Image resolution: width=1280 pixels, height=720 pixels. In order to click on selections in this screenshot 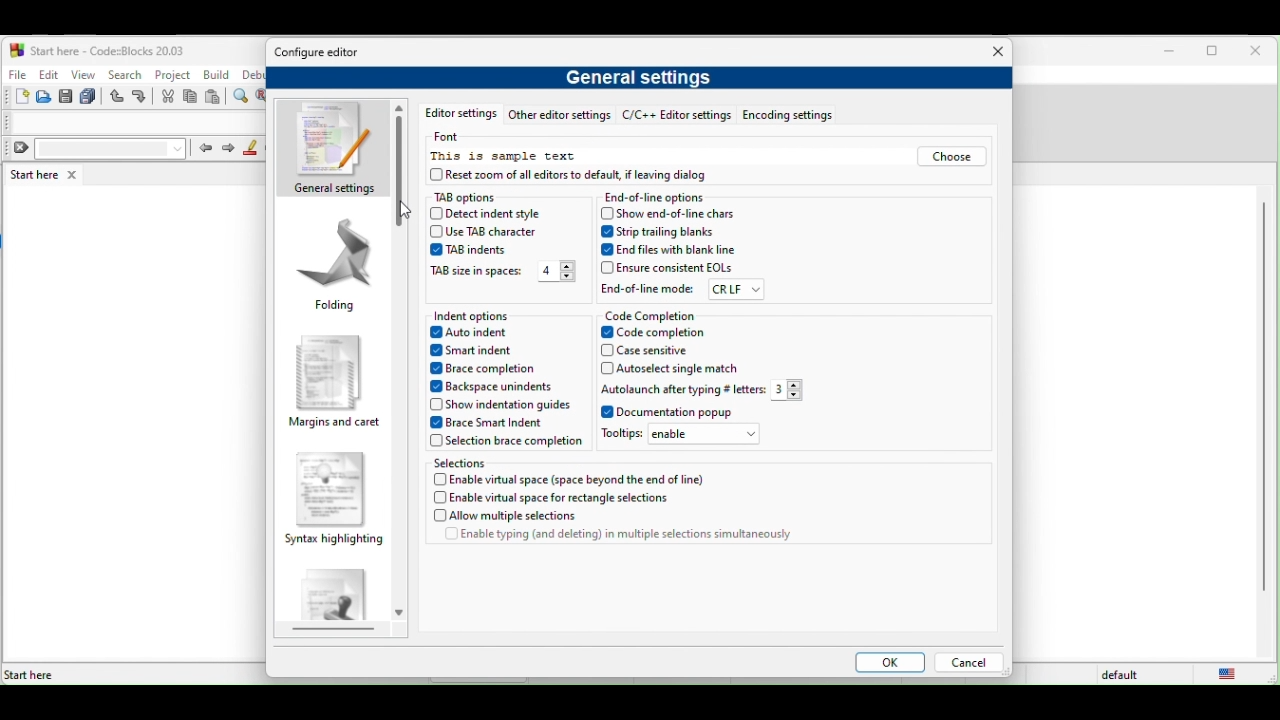, I will do `click(496, 462)`.